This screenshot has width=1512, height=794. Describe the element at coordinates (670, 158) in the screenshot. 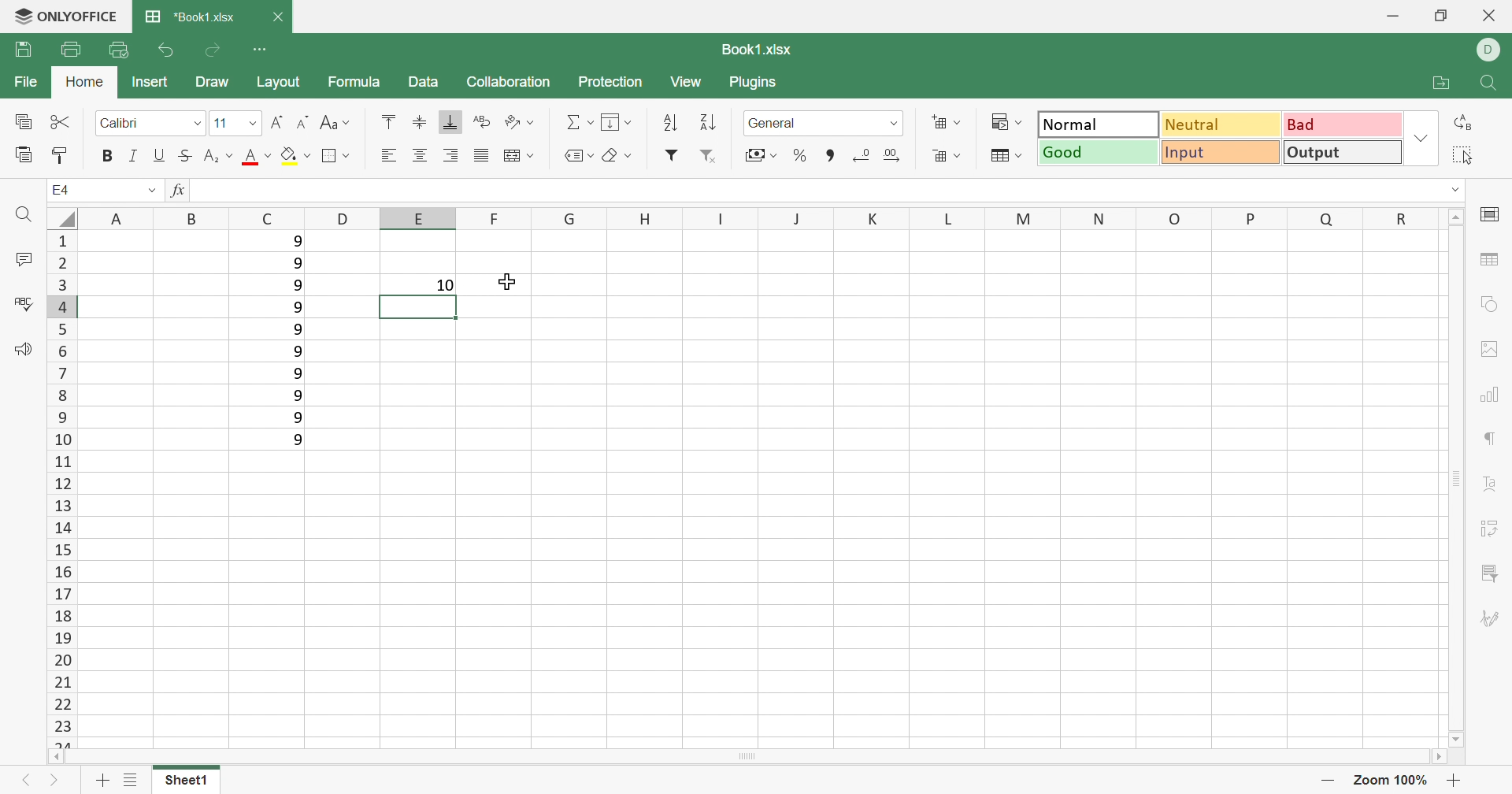

I see `Filter` at that location.